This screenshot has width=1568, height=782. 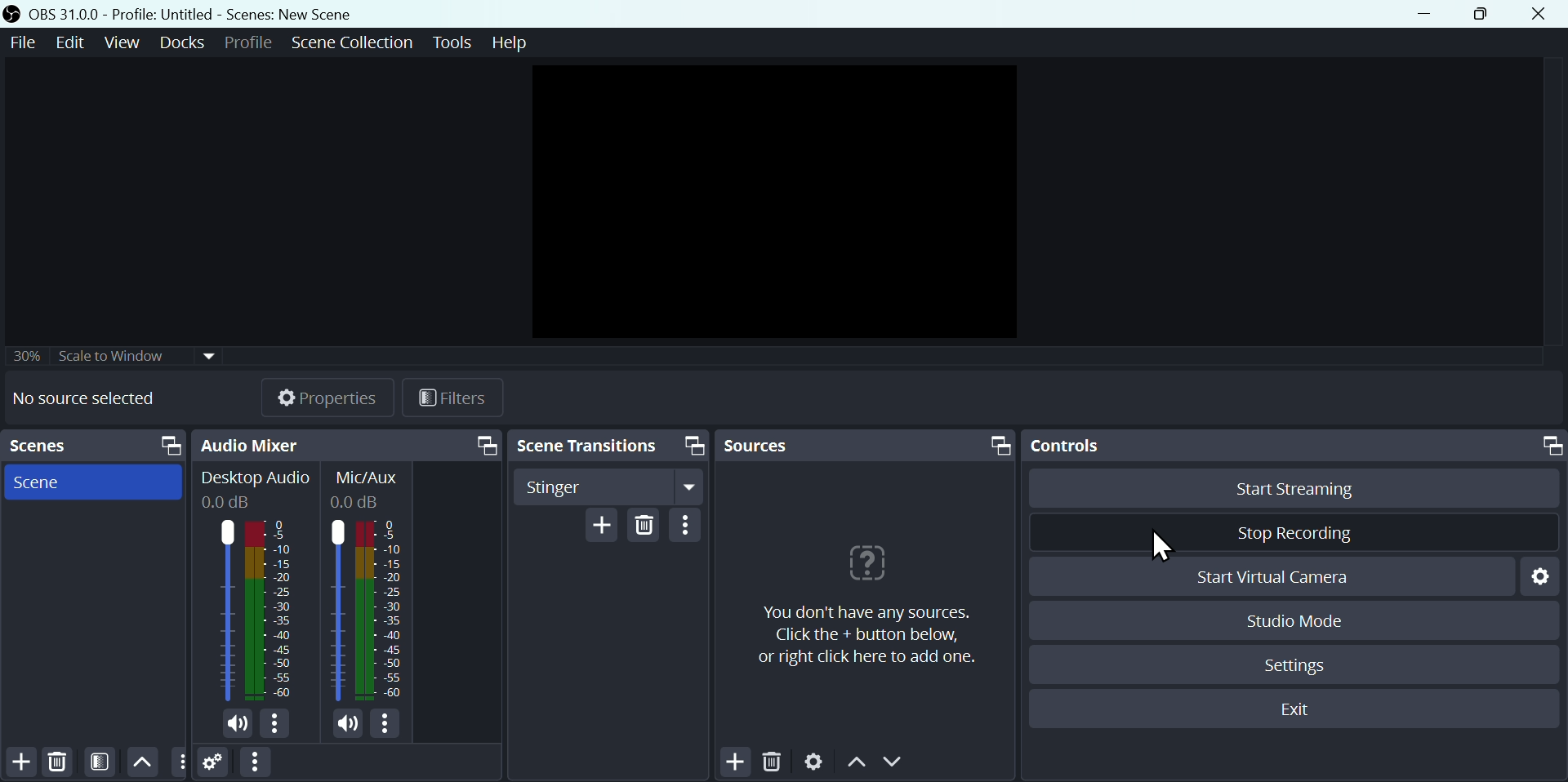 I want to click on Filters, so click(x=456, y=398).